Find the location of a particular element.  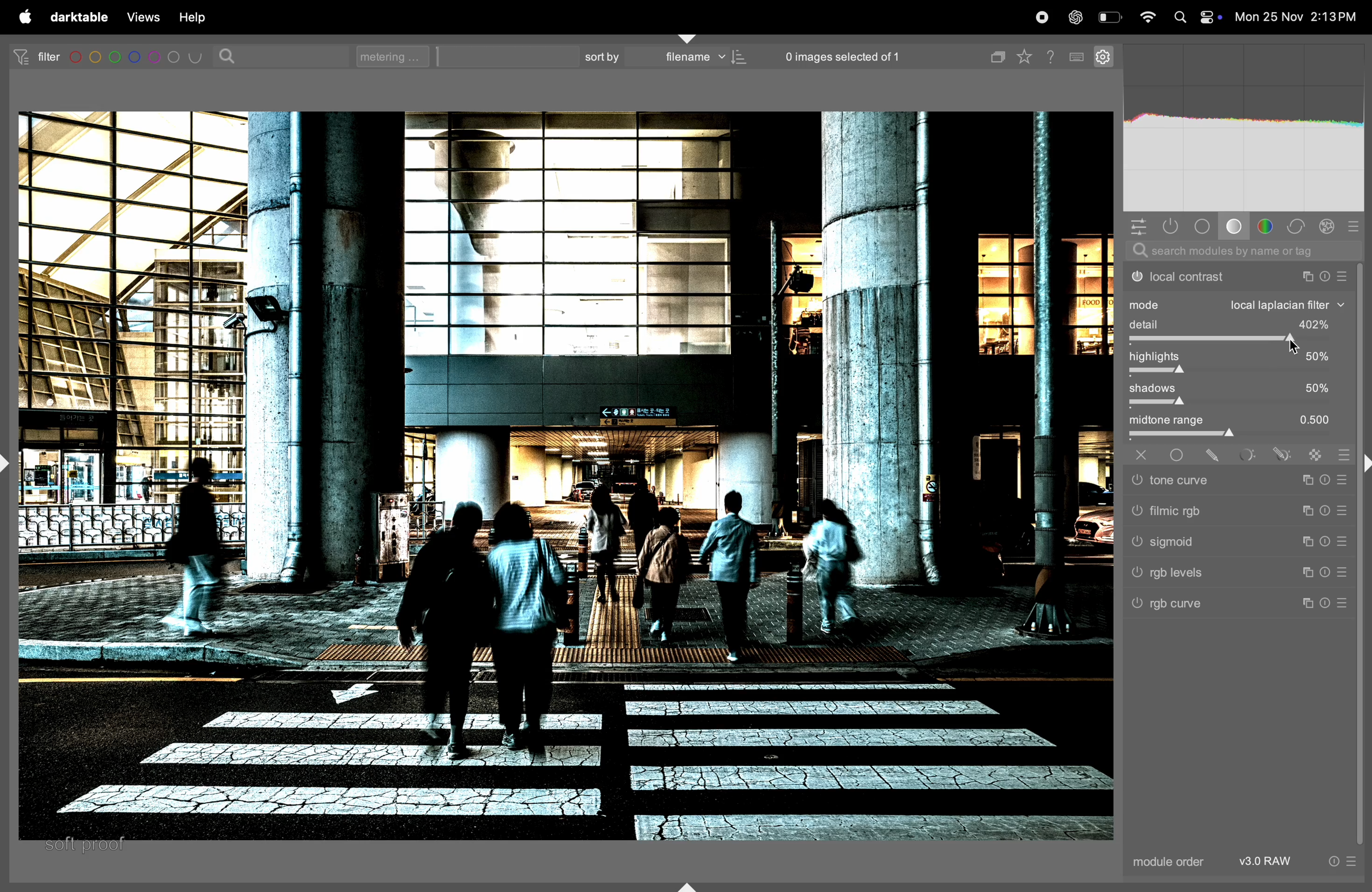

off is located at coordinates (1144, 455).